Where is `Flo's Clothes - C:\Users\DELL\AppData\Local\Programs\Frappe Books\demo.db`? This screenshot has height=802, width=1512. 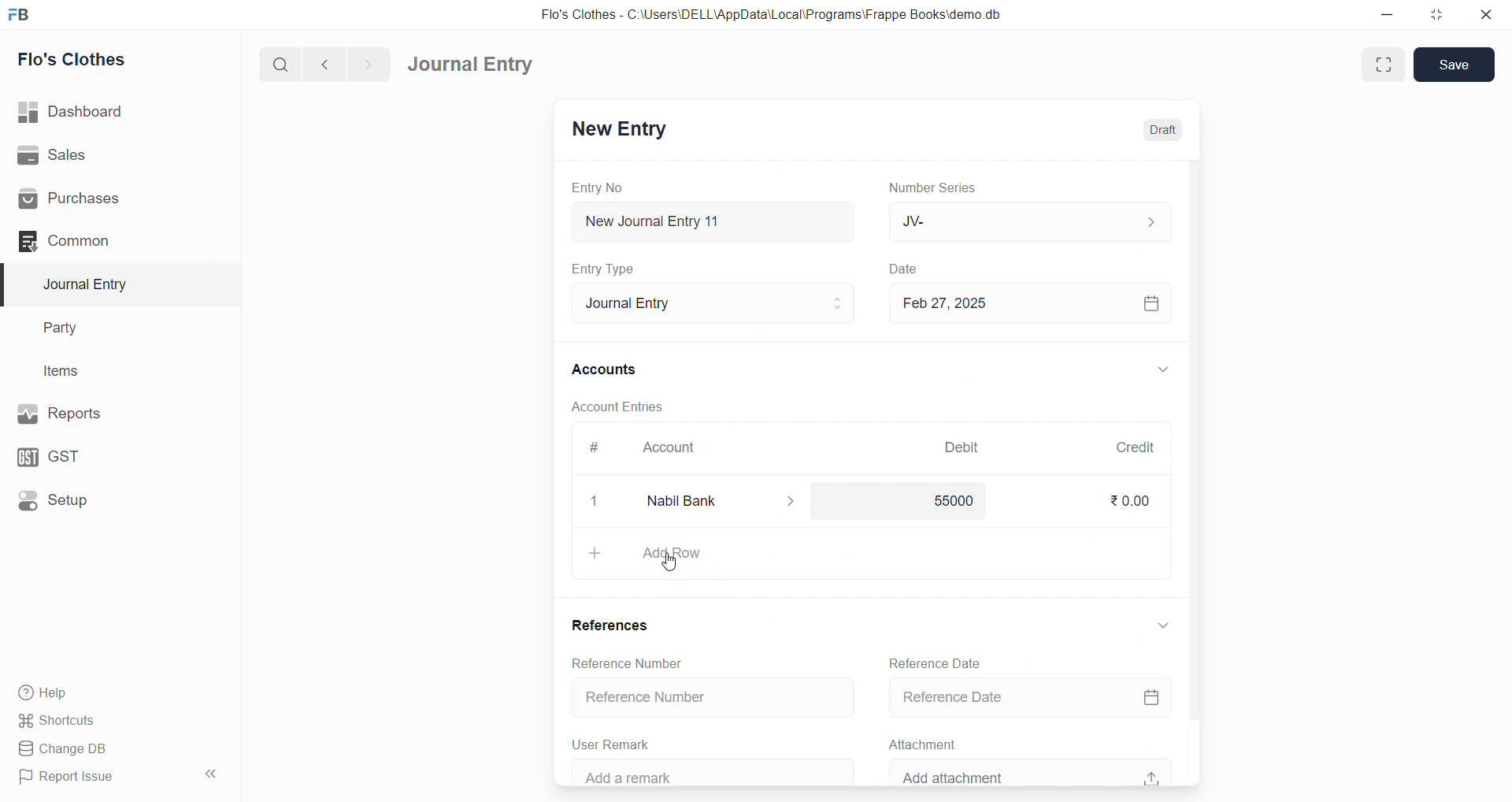
Flo's Clothes - C:\Users\DELL\AppData\Local\Programs\Frappe Books\demo.db is located at coordinates (771, 13).